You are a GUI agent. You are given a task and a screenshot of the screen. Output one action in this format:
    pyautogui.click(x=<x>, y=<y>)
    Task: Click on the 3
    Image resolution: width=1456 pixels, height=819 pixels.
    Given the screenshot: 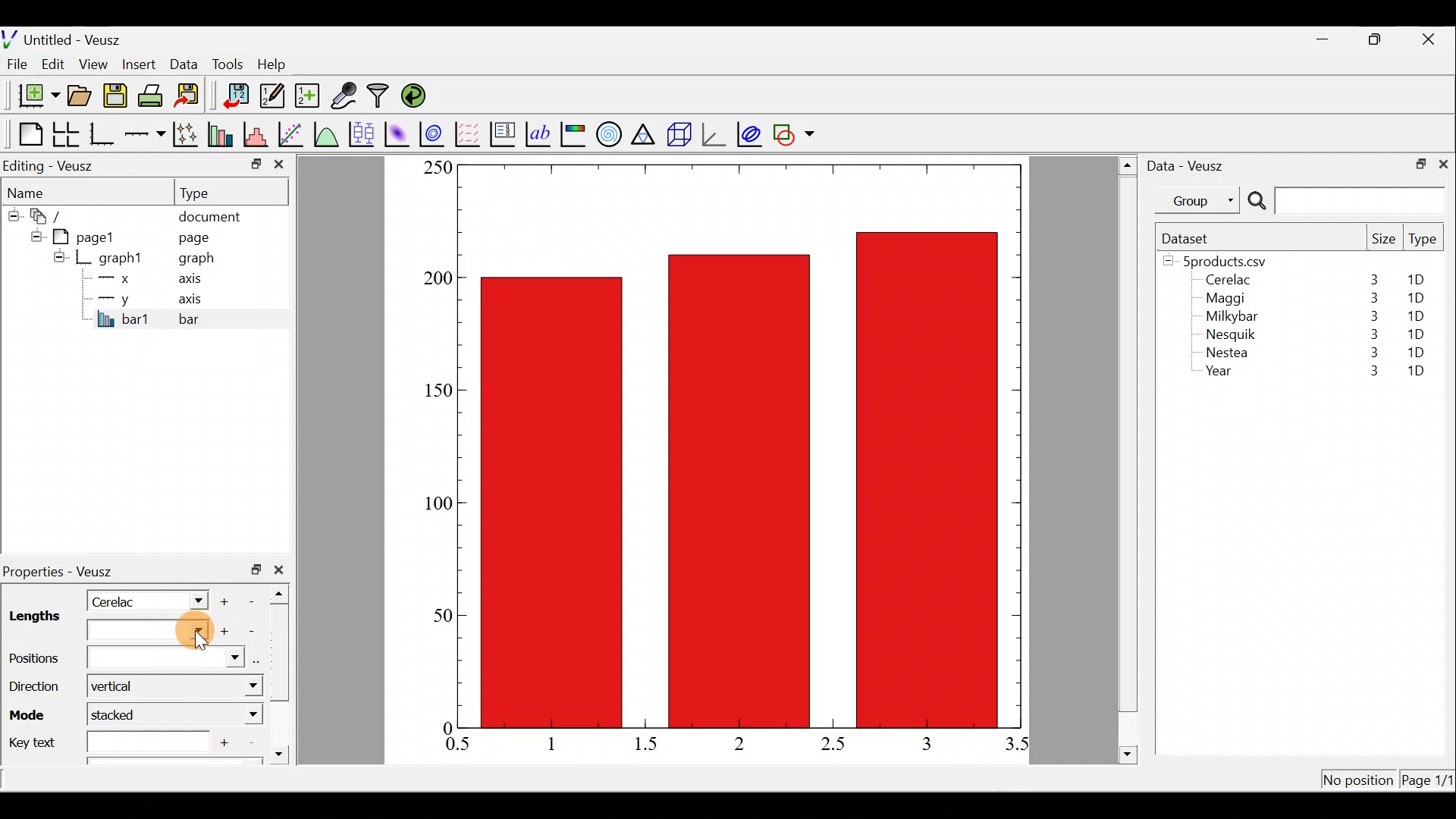 What is the action you would take?
    pyautogui.click(x=1373, y=279)
    